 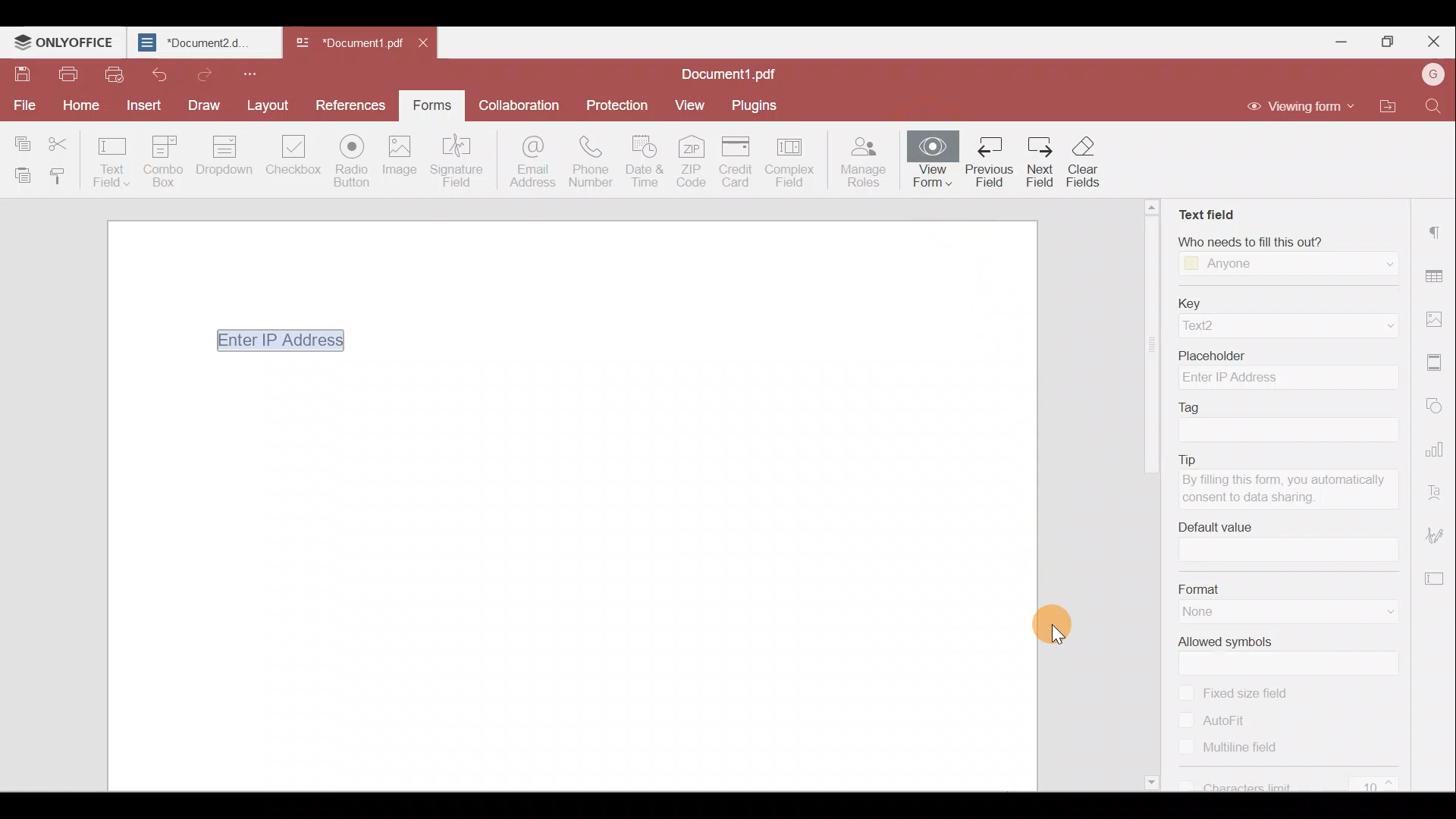 I want to click on Enter IP Address, so click(x=270, y=340).